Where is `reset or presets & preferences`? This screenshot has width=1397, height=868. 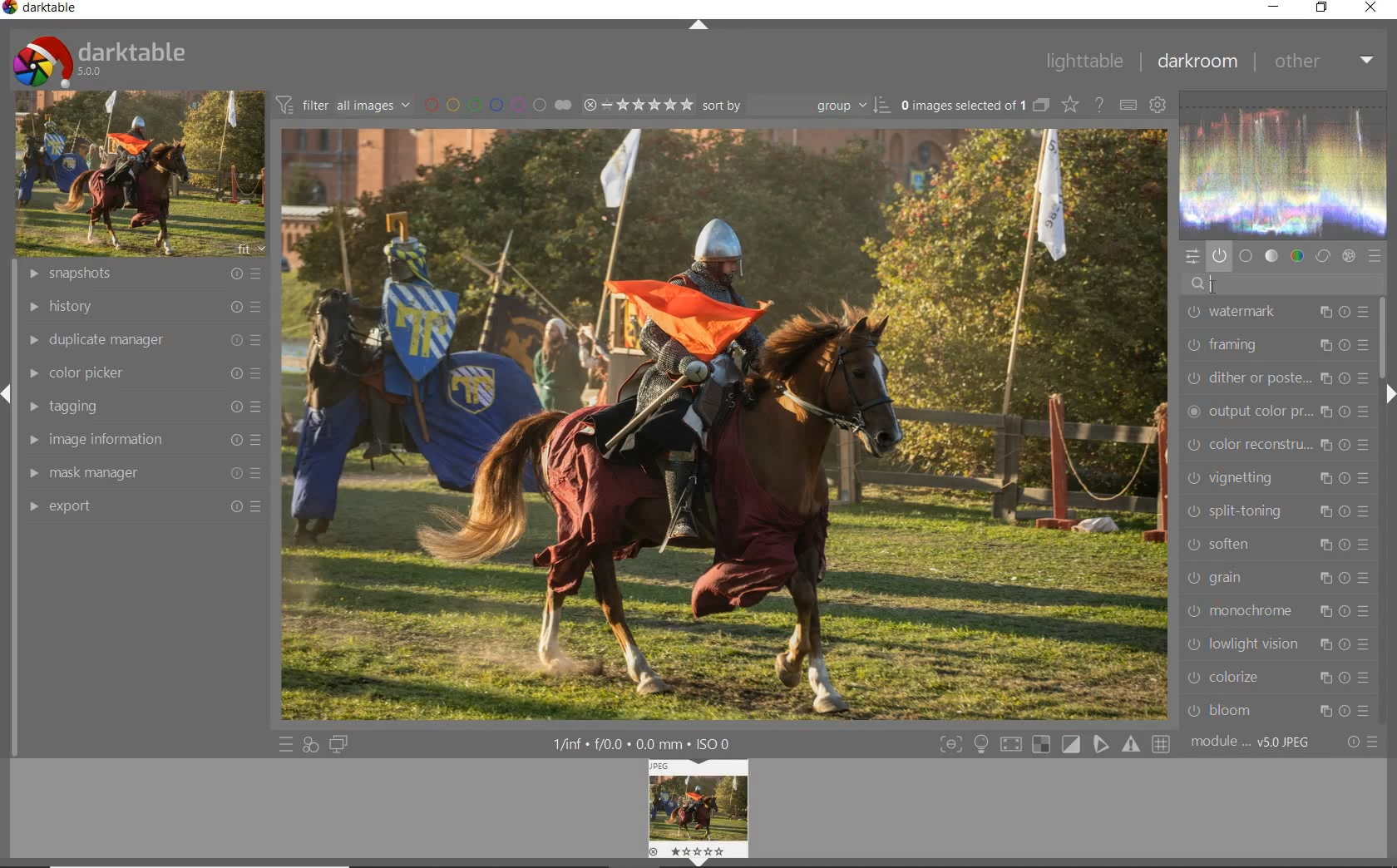
reset or presets & preferences is located at coordinates (1361, 742).